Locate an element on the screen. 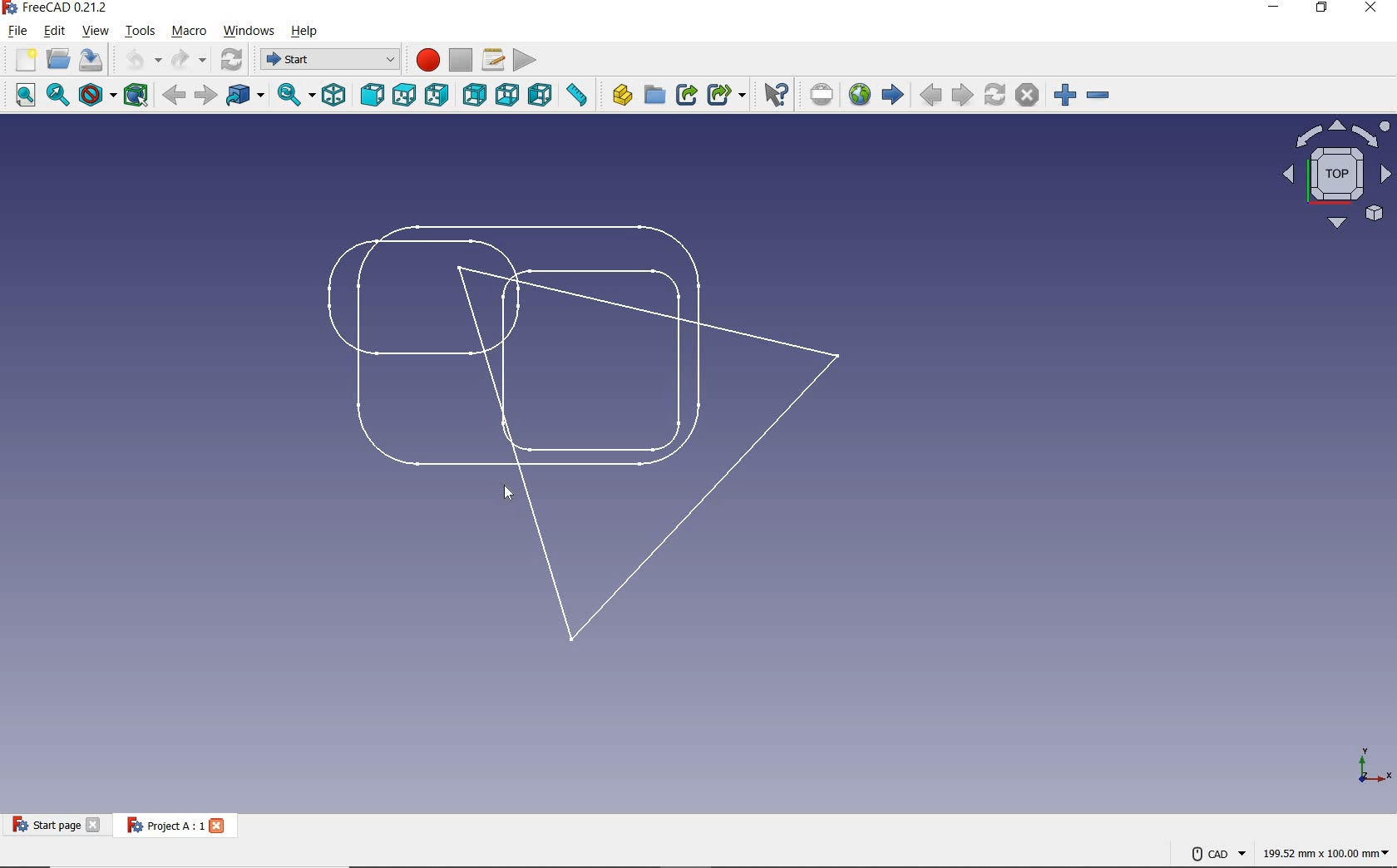 The height and width of the screenshot is (868, 1397). Project A: 1 is located at coordinates (164, 824).